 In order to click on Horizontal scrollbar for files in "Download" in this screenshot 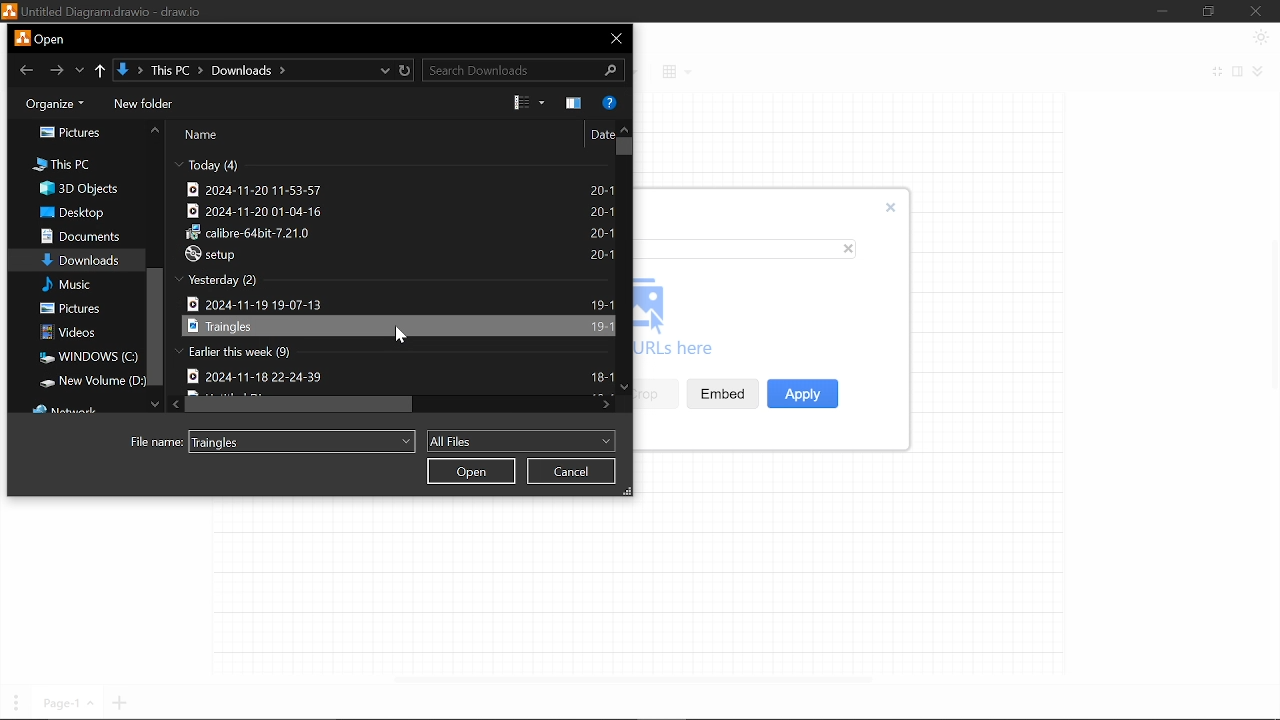, I will do `click(298, 404)`.